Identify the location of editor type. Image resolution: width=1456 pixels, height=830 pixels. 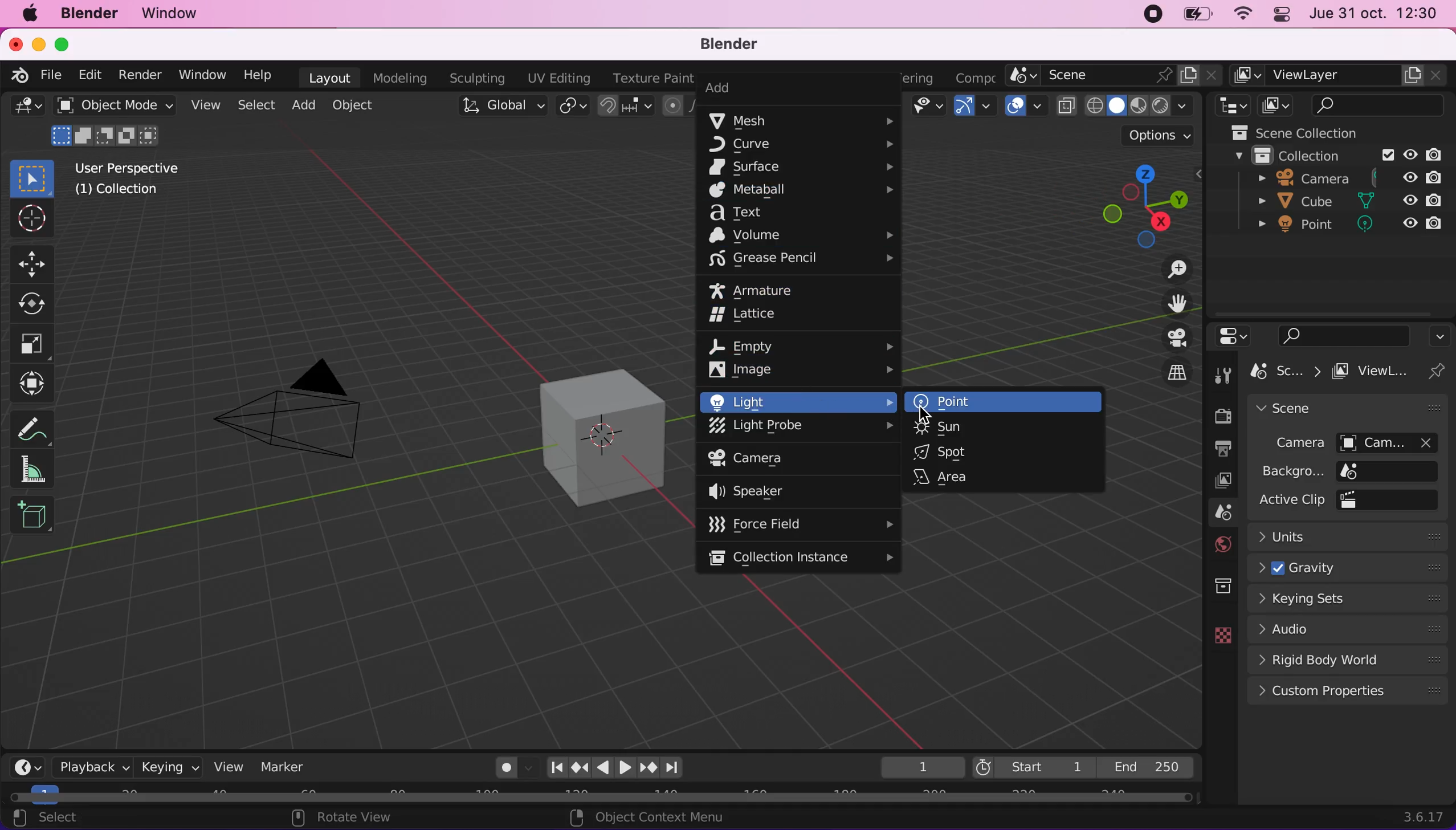
(22, 766).